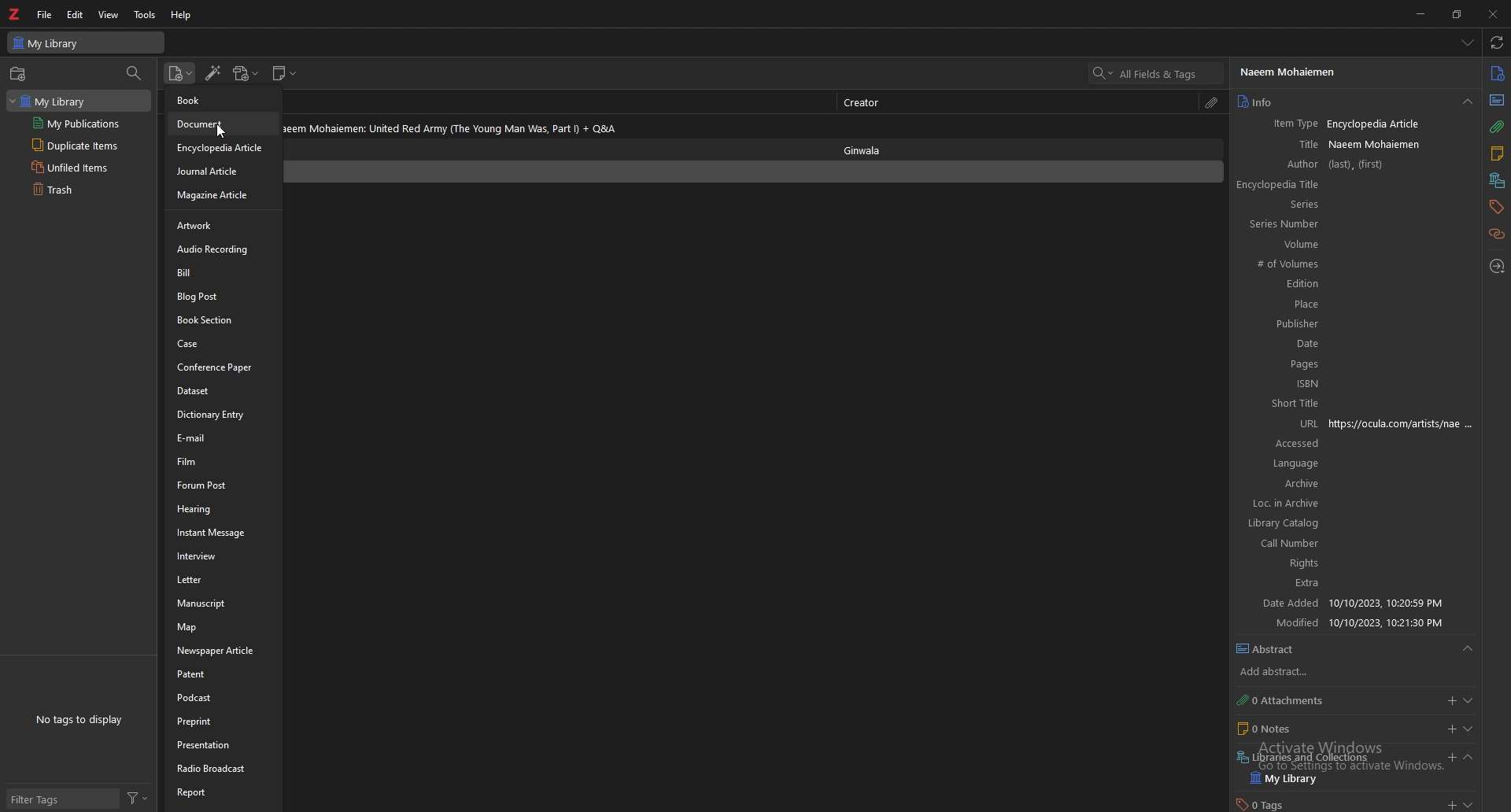  I want to click on close, so click(1494, 14).